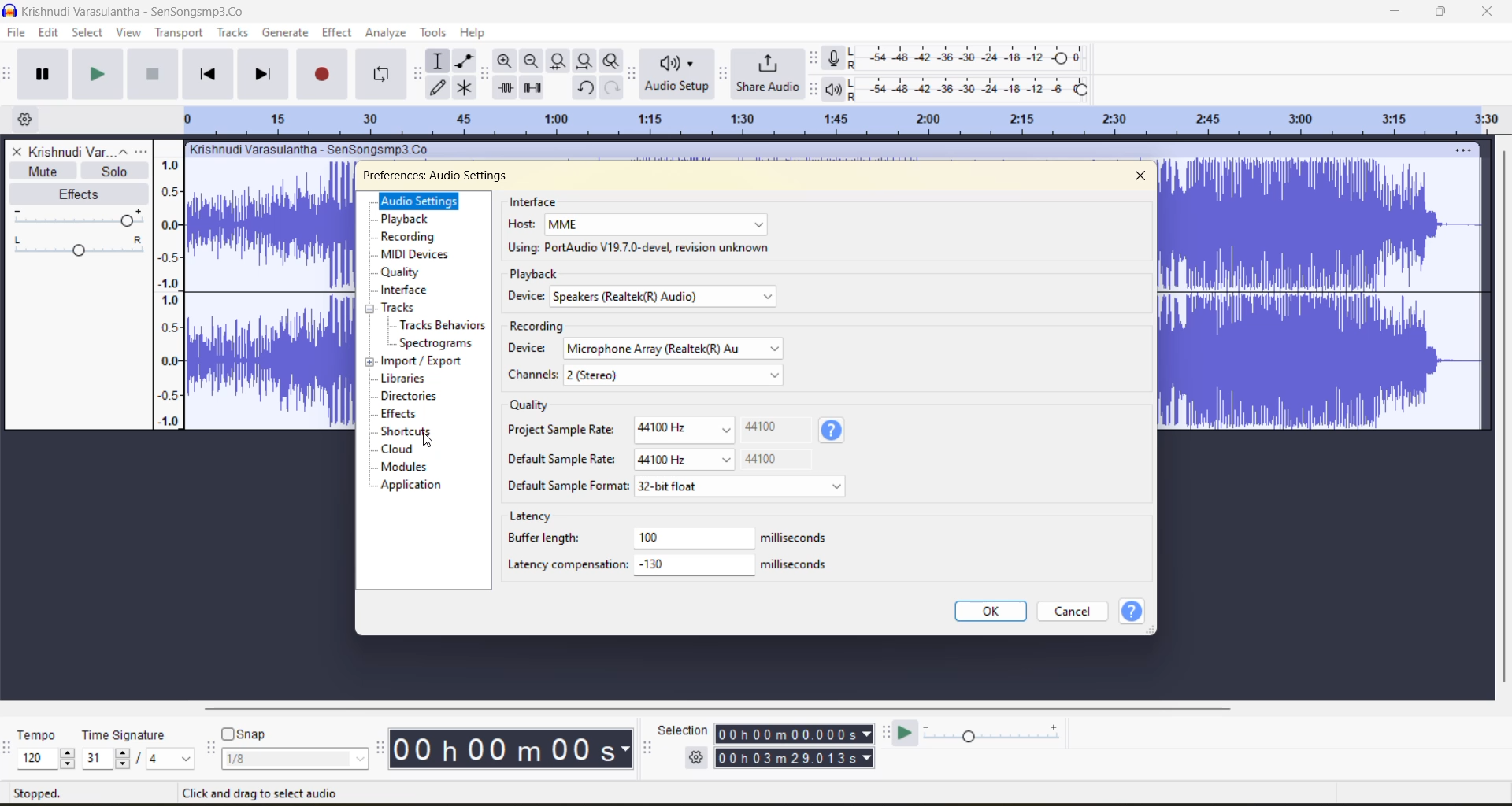 Image resolution: width=1512 pixels, height=806 pixels. I want to click on horizontal scroll bar, so click(728, 704).